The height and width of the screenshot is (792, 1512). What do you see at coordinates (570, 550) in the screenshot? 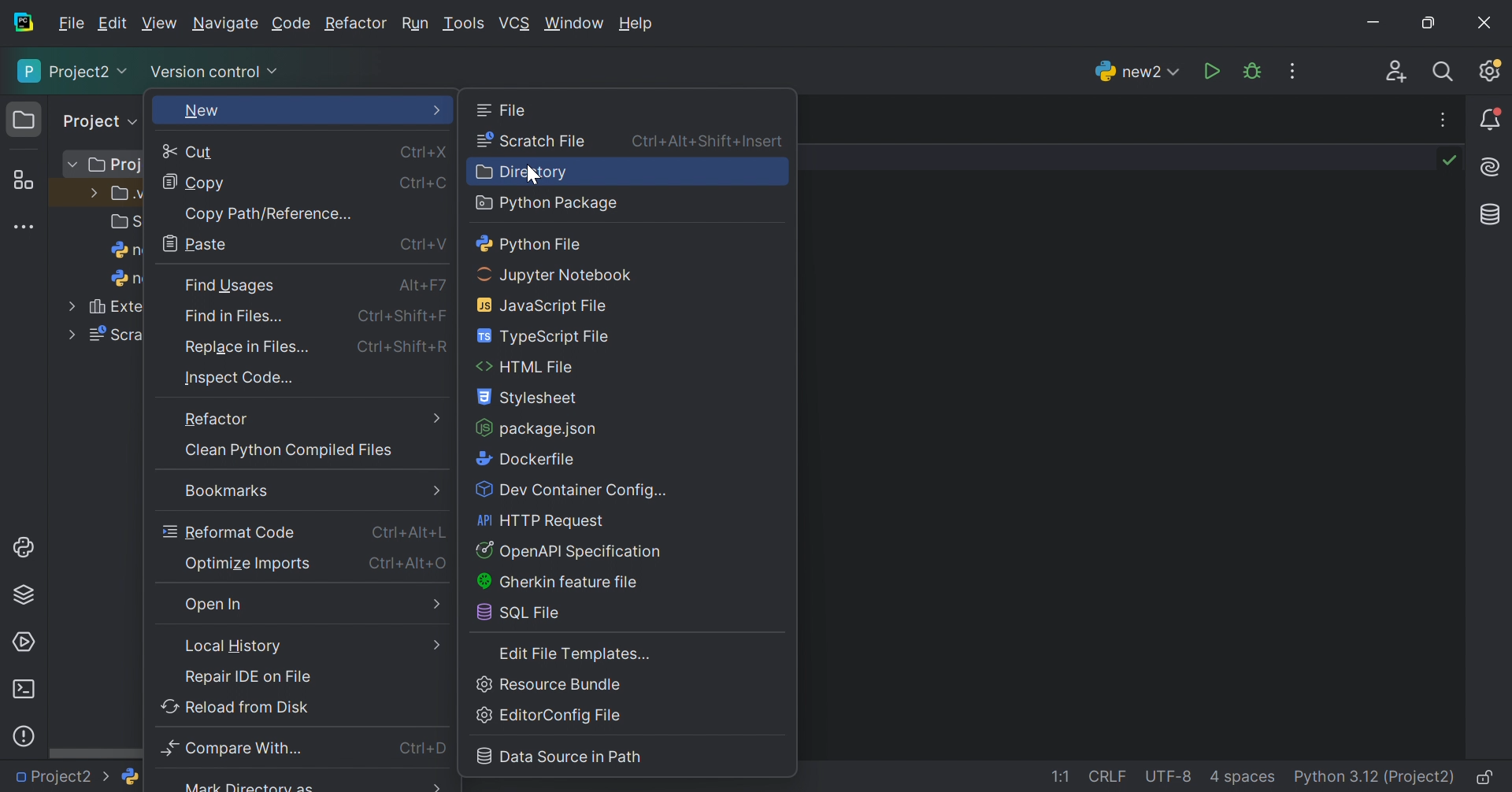
I see `` at bounding box center [570, 550].